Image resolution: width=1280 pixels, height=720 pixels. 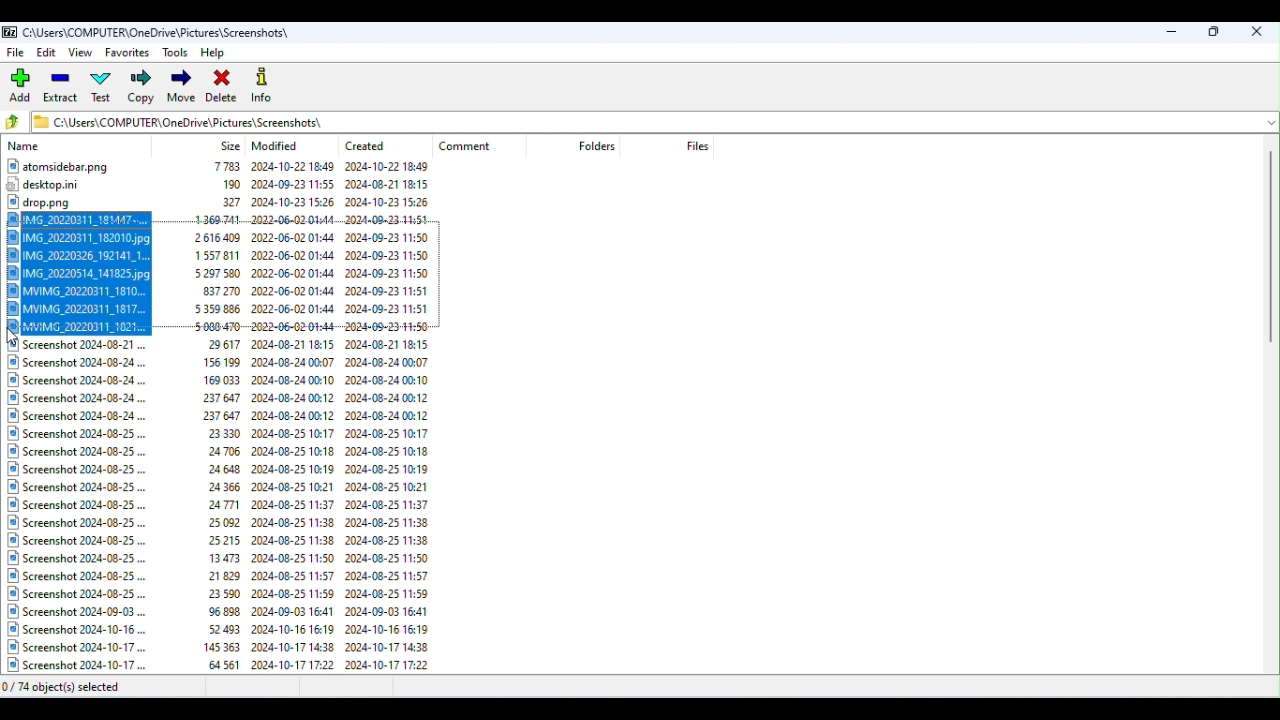 I want to click on Info, so click(x=264, y=84).